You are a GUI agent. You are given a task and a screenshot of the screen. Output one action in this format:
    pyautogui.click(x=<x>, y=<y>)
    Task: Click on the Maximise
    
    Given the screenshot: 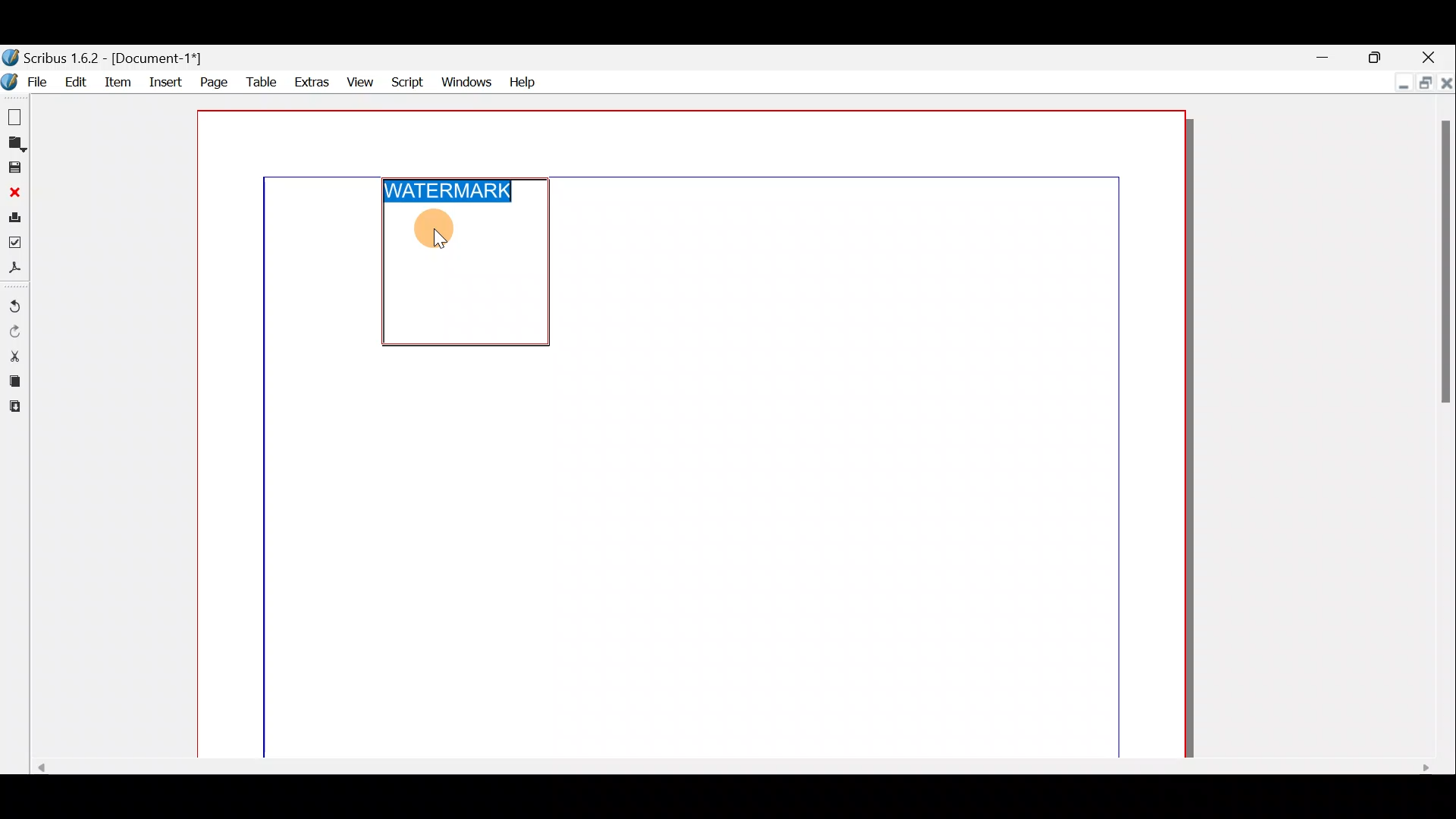 What is the action you would take?
    pyautogui.click(x=1376, y=55)
    